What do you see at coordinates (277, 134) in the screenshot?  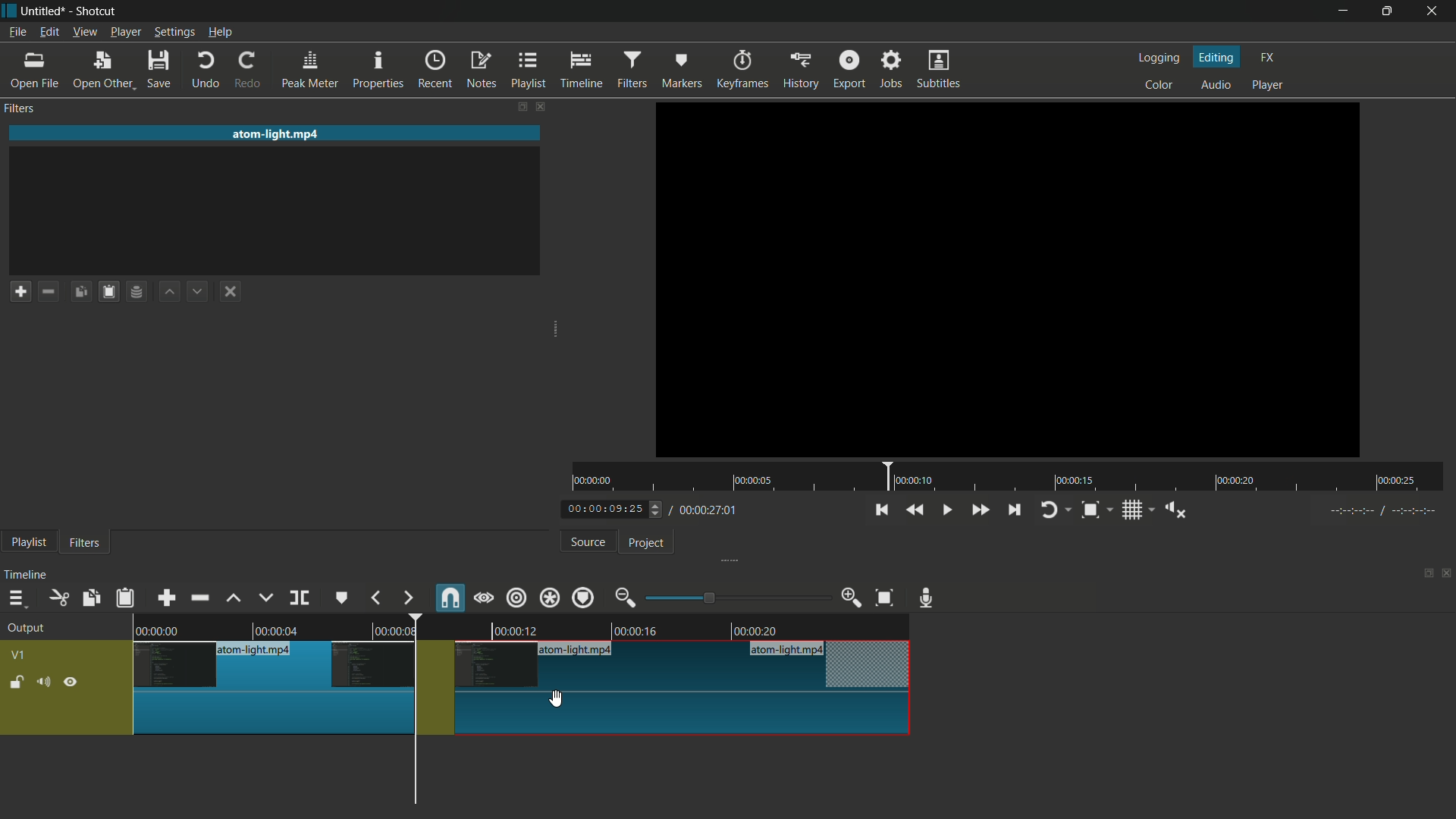 I see `` at bounding box center [277, 134].